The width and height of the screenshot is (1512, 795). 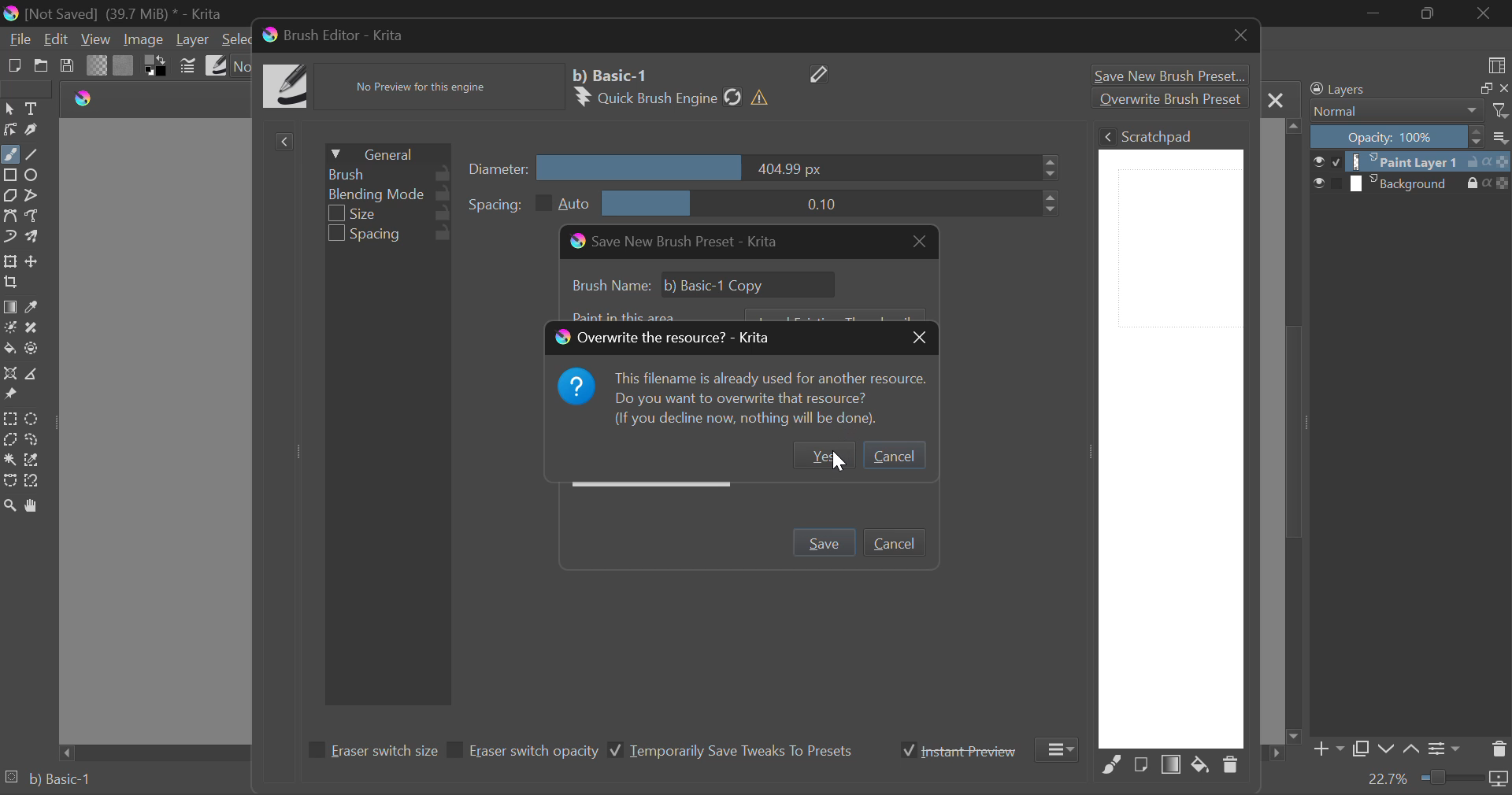 What do you see at coordinates (823, 543) in the screenshot?
I see `Press Enter to Save` at bounding box center [823, 543].